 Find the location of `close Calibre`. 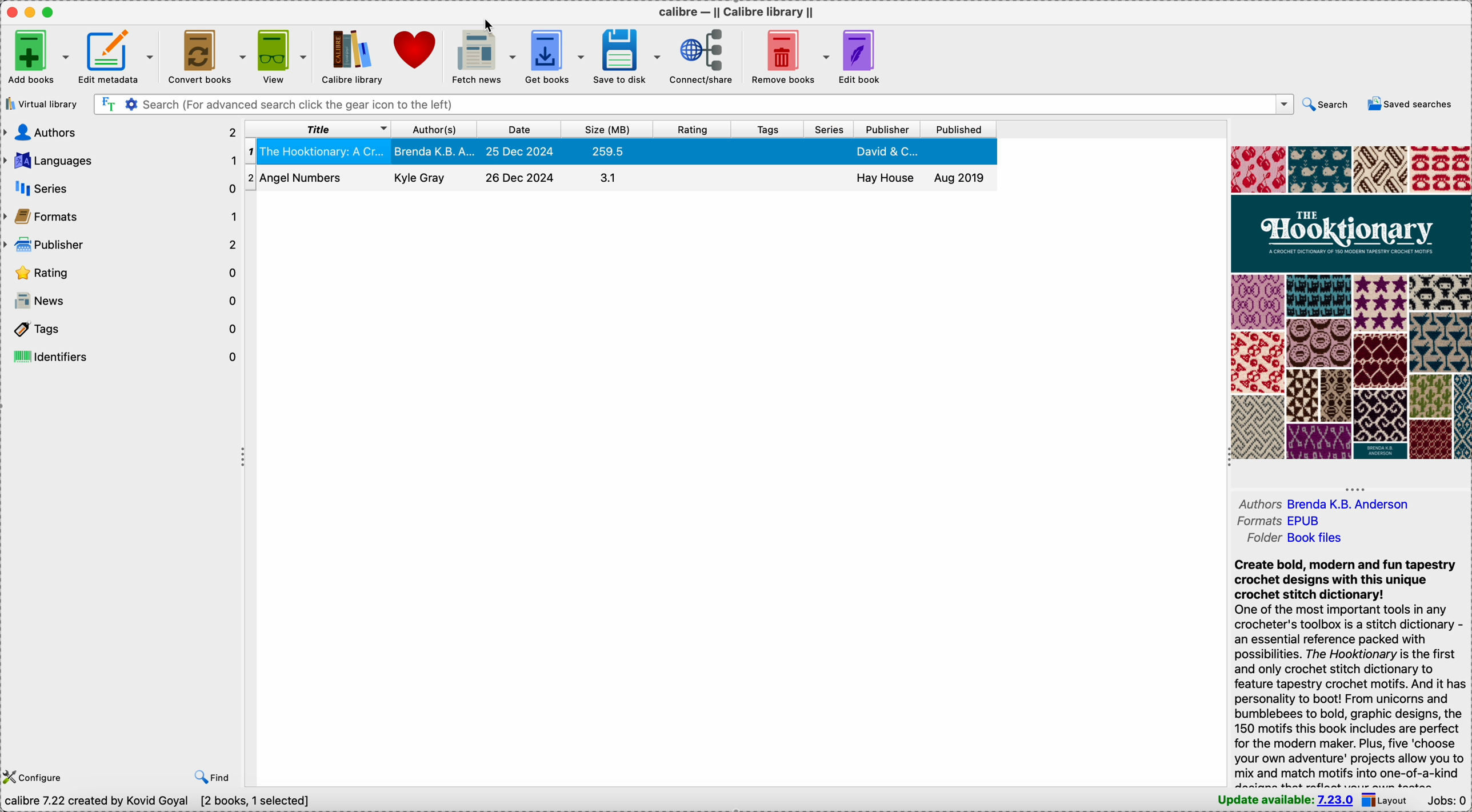

close Calibre is located at coordinates (10, 12).